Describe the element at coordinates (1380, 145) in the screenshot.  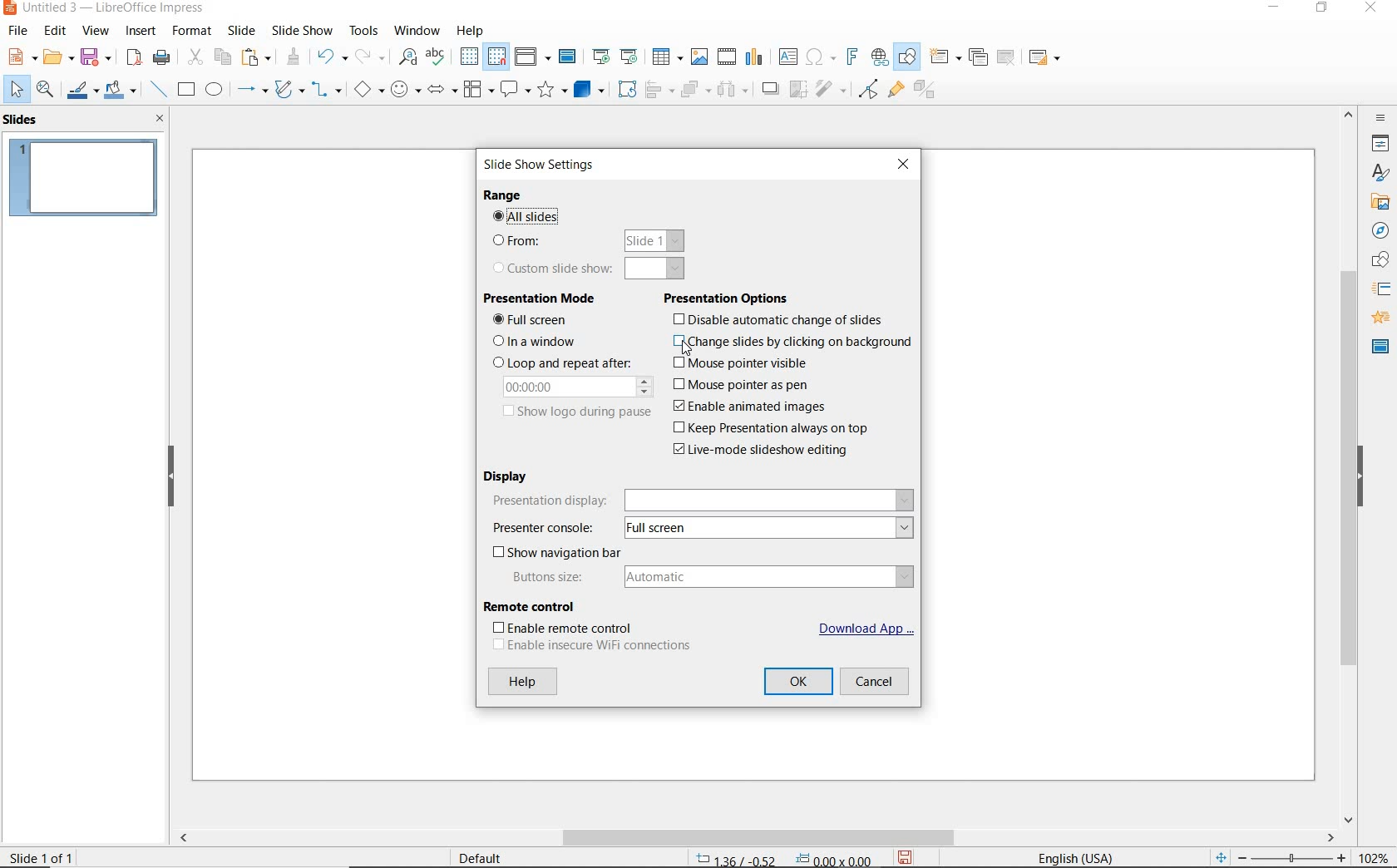
I see `PROPERTIES` at that location.